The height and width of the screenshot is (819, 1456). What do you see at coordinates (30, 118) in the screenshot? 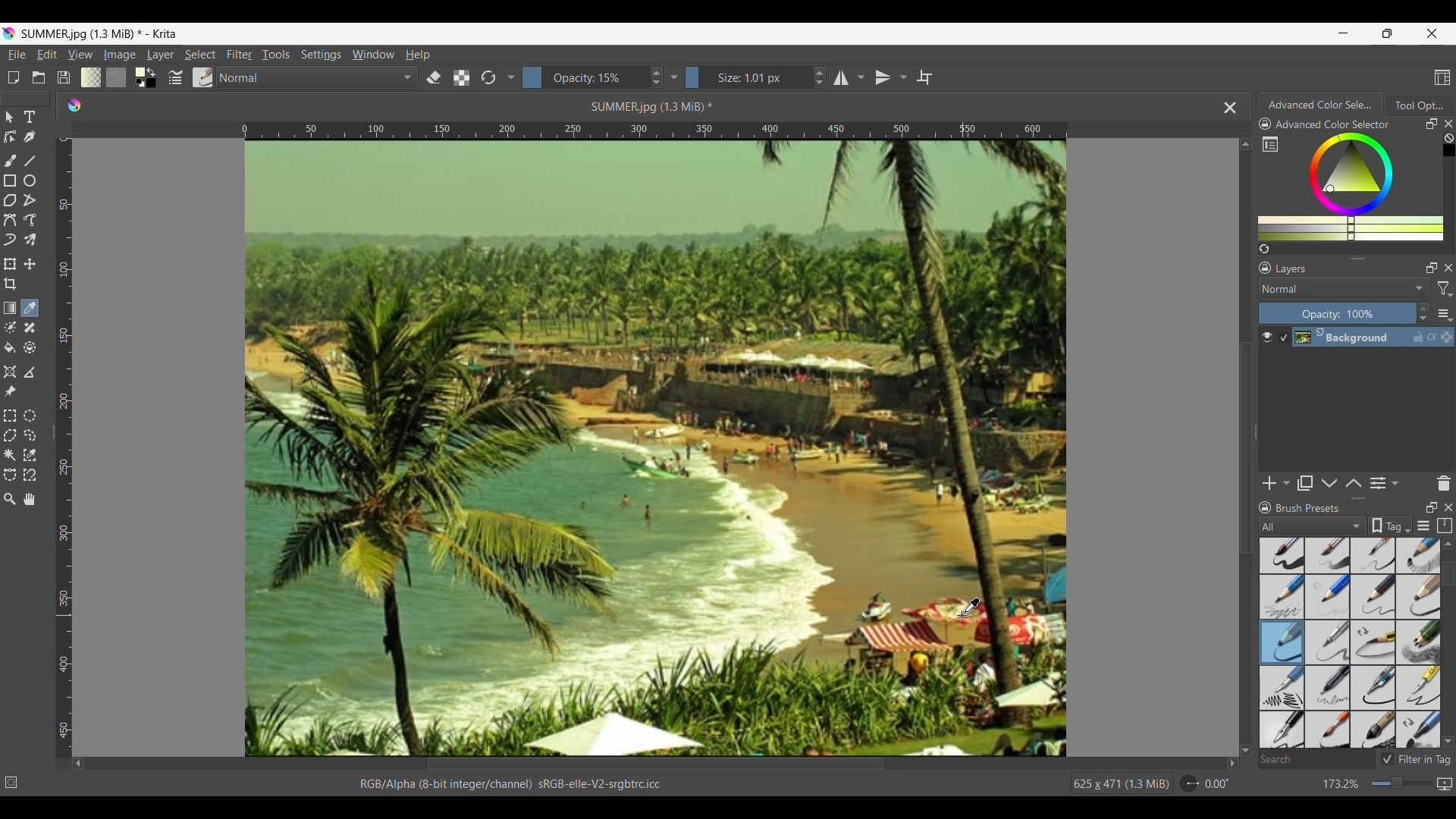
I see `Text tool` at bounding box center [30, 118].